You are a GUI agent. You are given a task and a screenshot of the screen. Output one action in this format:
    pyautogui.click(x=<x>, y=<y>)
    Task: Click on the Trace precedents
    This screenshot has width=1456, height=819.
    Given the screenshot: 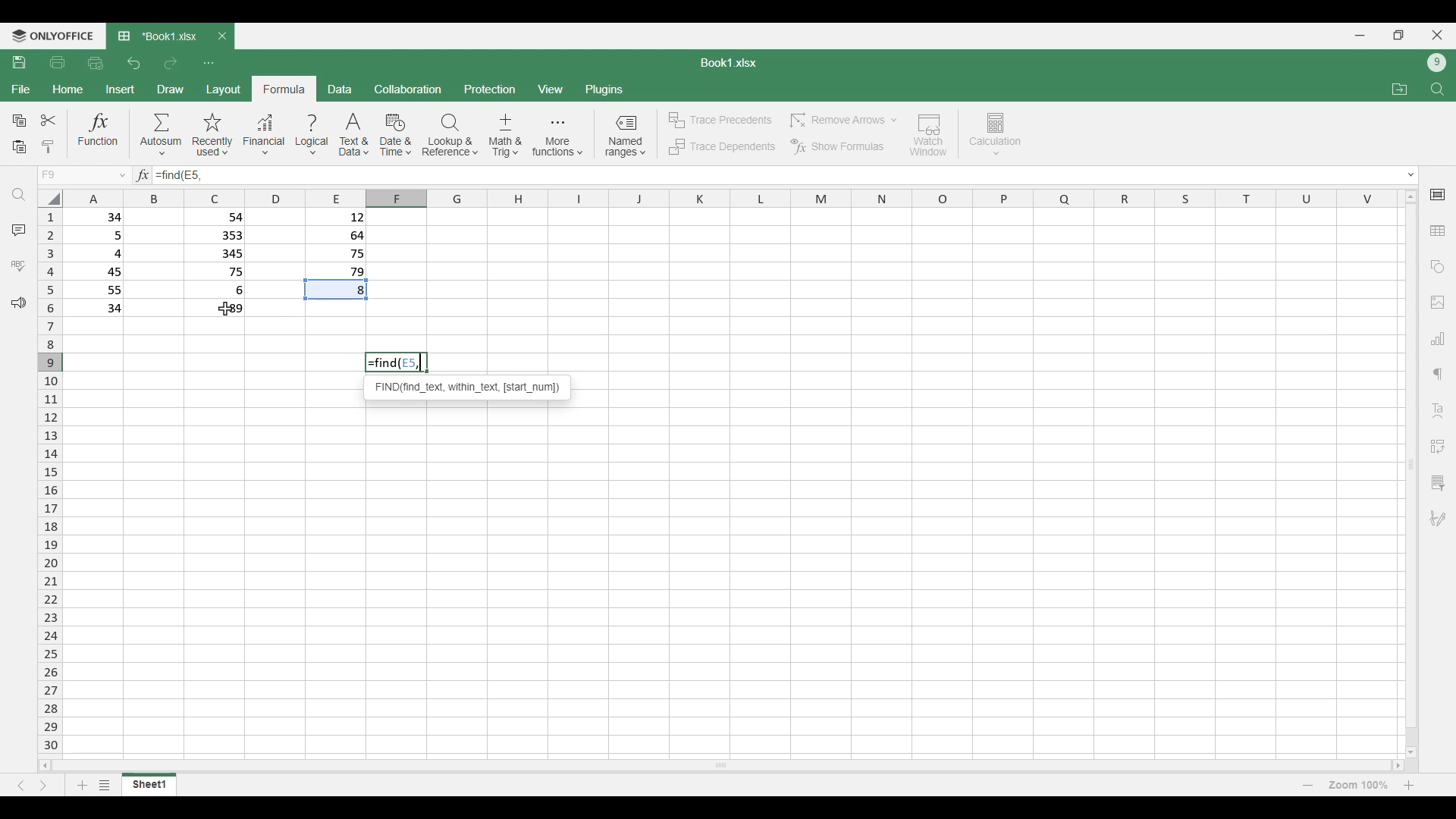 What is the action you would take?
    pyautogui.click(x=719, y=121)
    